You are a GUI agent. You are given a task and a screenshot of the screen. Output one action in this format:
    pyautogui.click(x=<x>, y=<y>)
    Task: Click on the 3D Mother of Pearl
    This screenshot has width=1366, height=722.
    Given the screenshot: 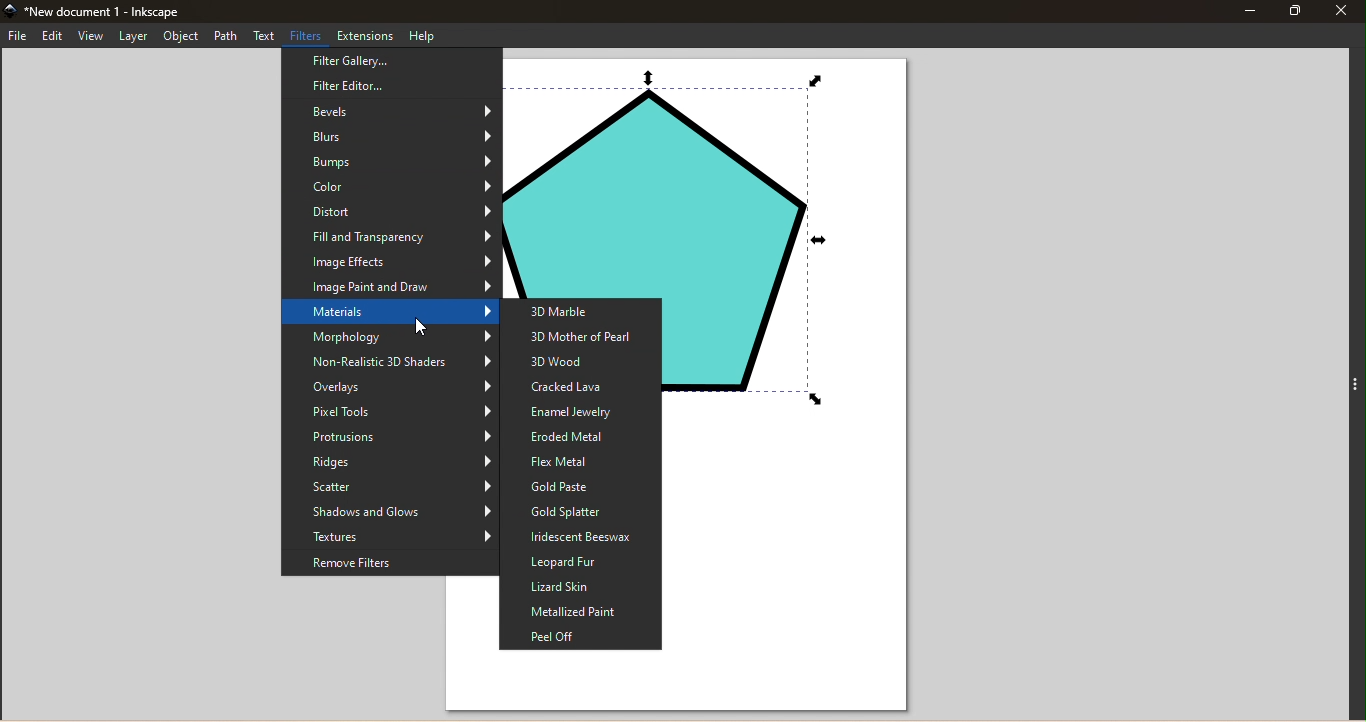 What is the action you would take?
    pyautogui.click(x=584, y=335)
    